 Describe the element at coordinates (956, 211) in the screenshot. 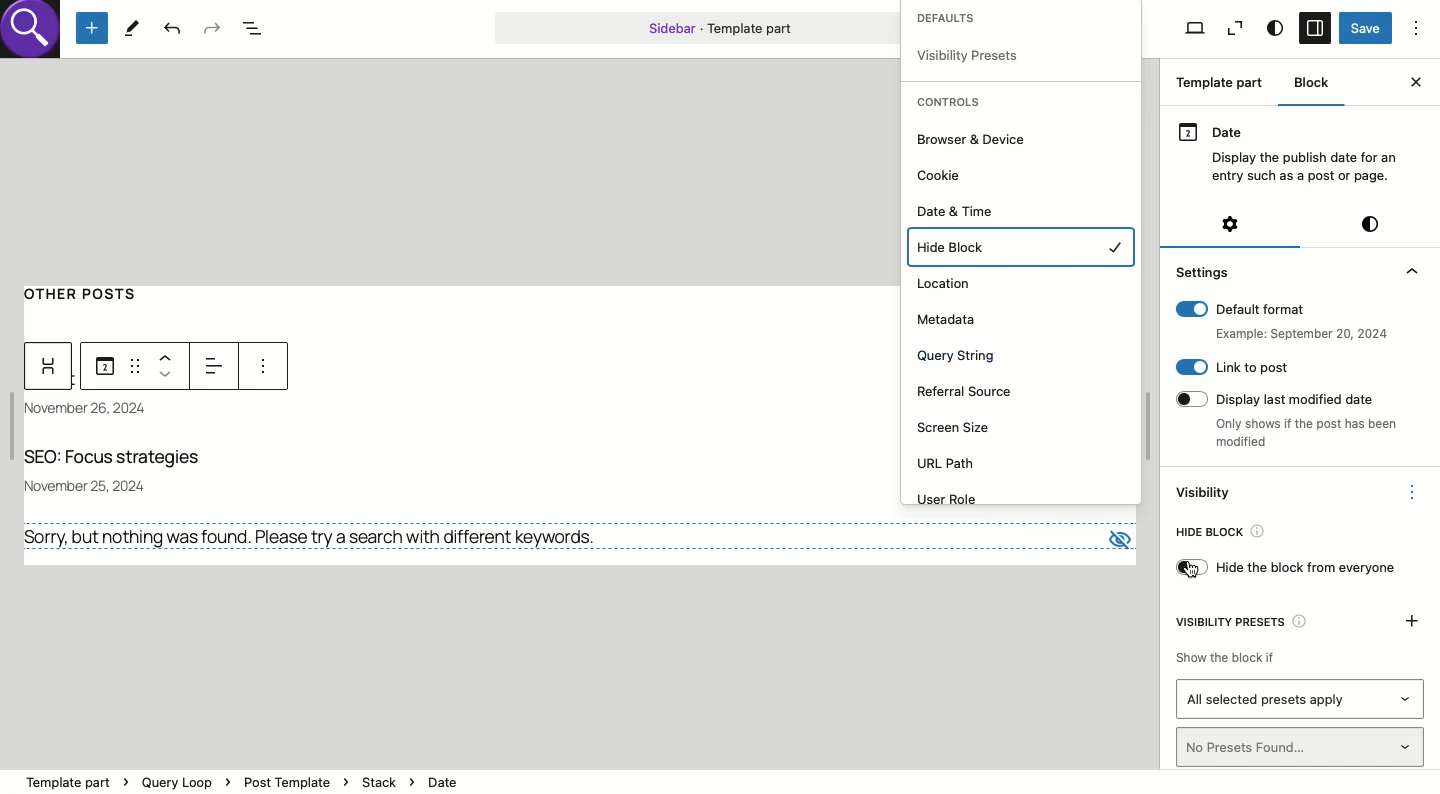

I see `Date and time` at that location.